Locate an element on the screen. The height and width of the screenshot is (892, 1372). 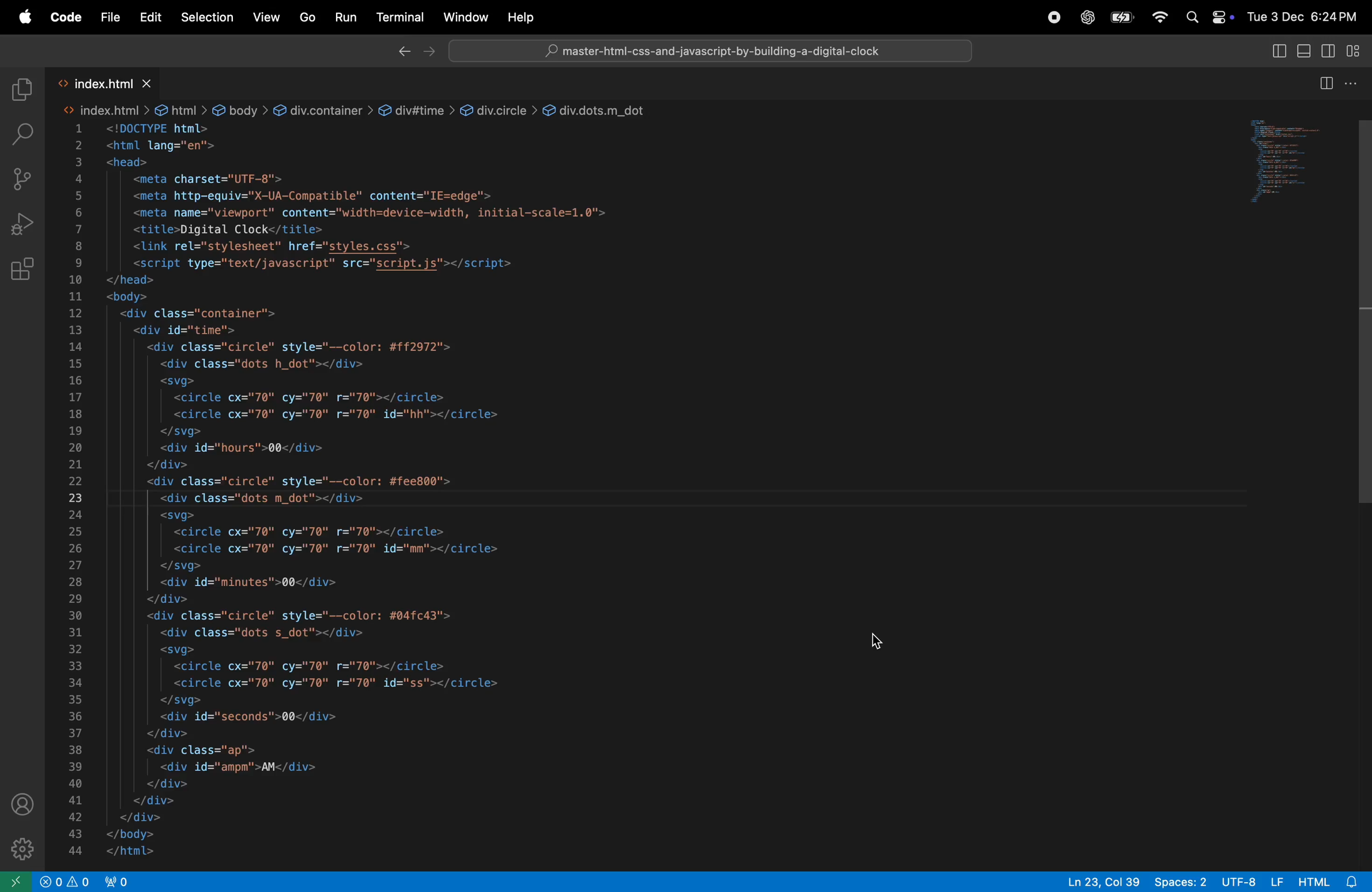
Edit is located at coordinates (147, 16).